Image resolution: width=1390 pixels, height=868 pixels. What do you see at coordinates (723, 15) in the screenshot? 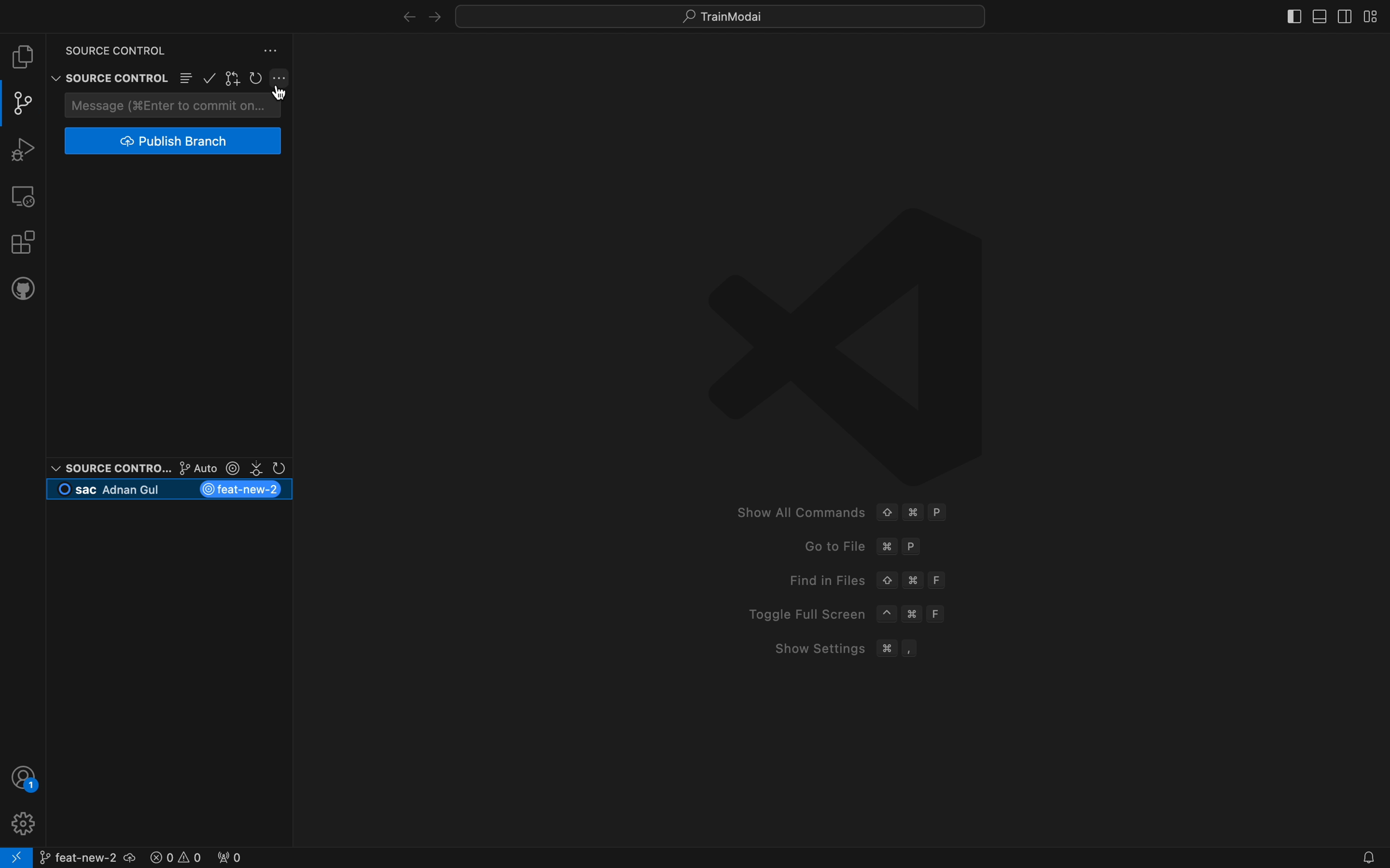
I see `quick menus` at bounding box center [723, 15].